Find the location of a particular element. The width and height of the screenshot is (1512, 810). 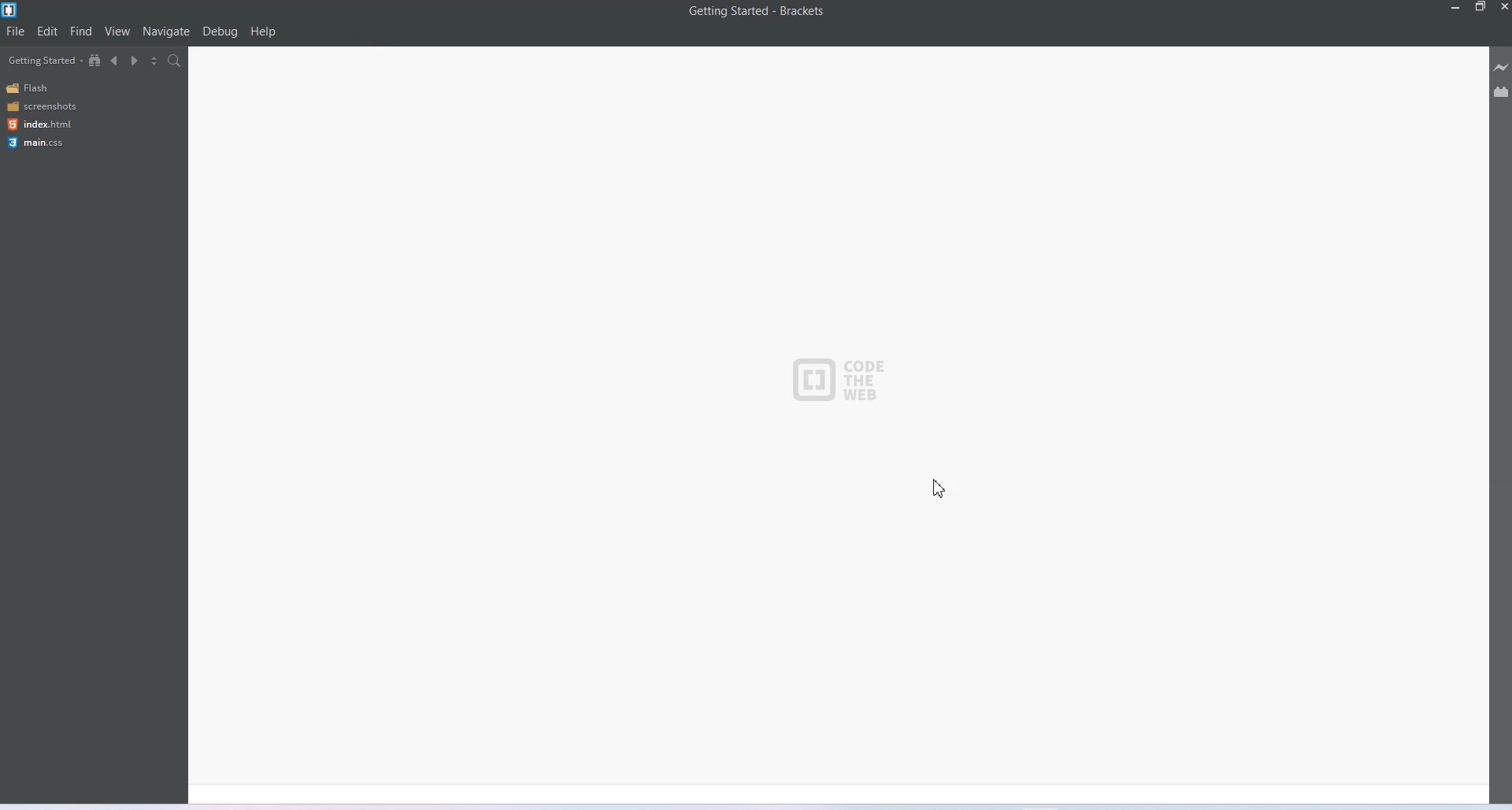

Screenshots is located at coordinates (41, 106).